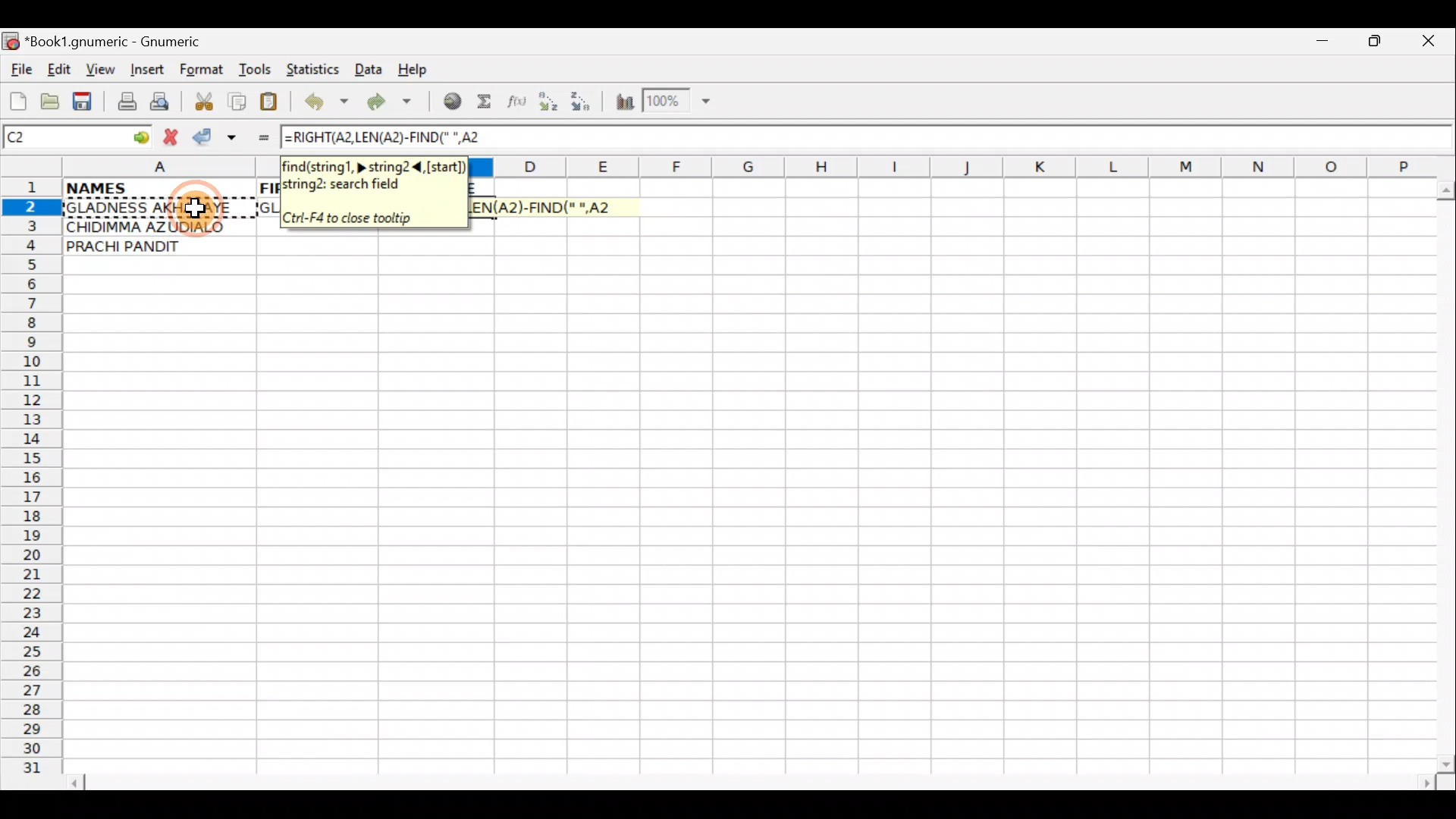 The image size is (1456, 819). Describe the element at coordinates (142, 187) in the screenshot. I see `NAMES` at that location.